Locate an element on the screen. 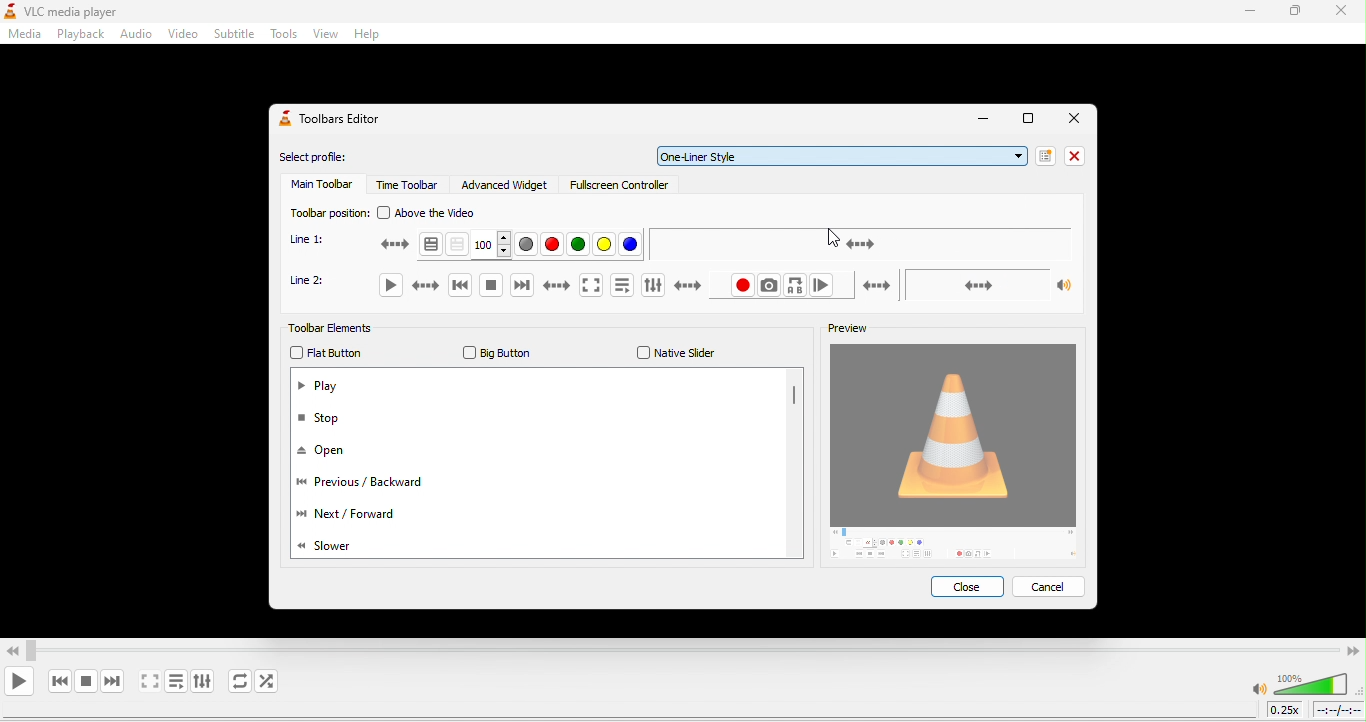 Image resolution: width=1366 pixels, height=722 pixels. seek bar is located at coordinates (963, 285).